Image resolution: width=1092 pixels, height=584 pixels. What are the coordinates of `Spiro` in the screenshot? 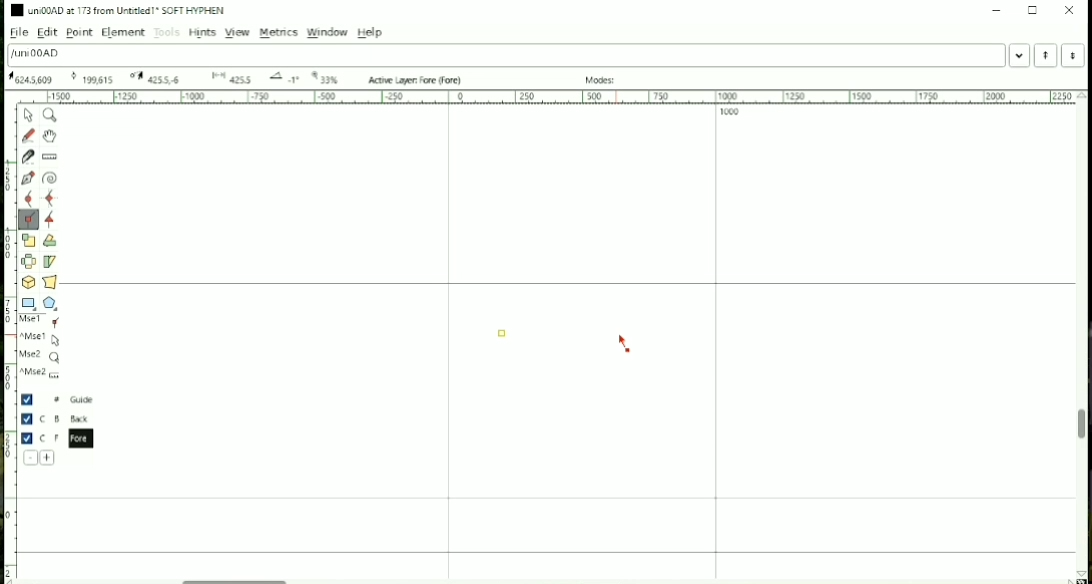 It's located at (51, 178).